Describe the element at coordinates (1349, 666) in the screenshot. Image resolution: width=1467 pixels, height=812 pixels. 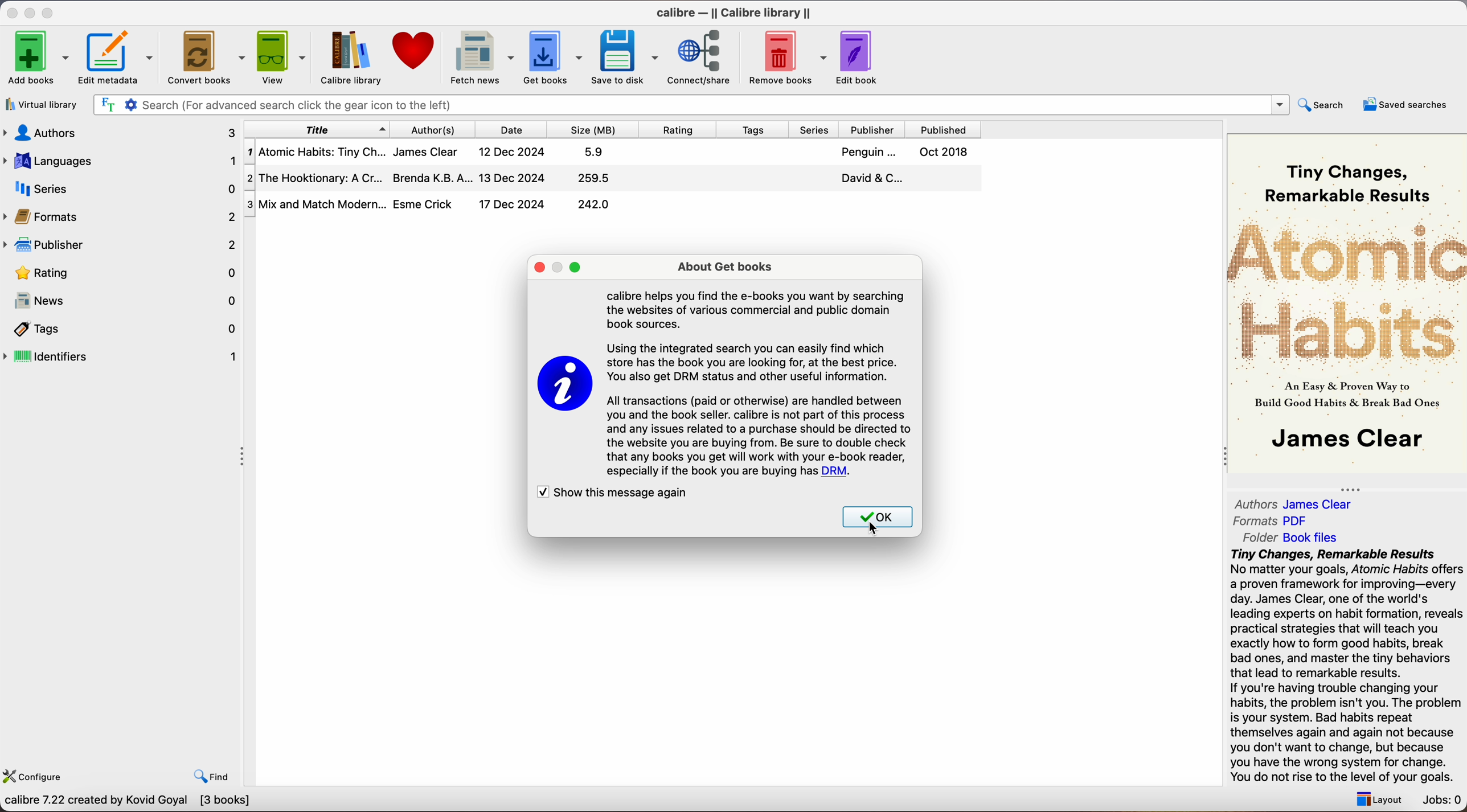
I see `synopsis` at that location.